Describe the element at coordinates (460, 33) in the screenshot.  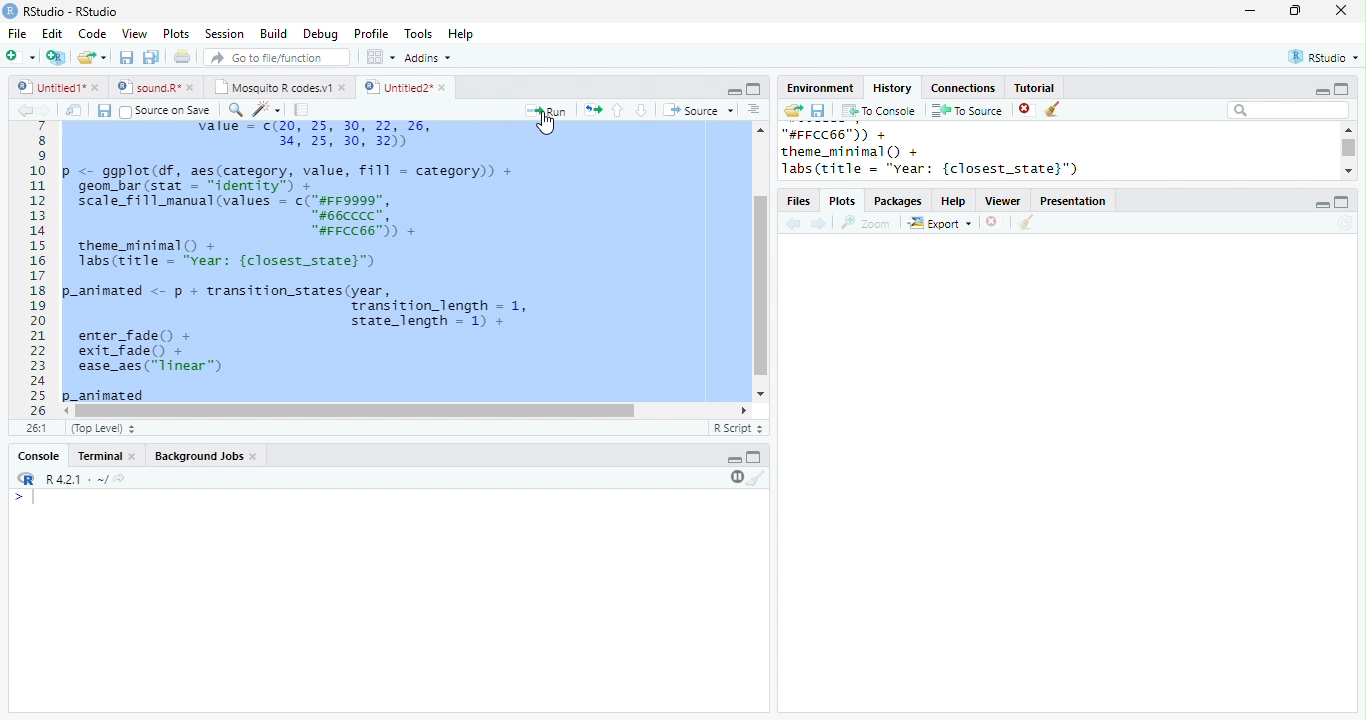
I see `Help` at that location.